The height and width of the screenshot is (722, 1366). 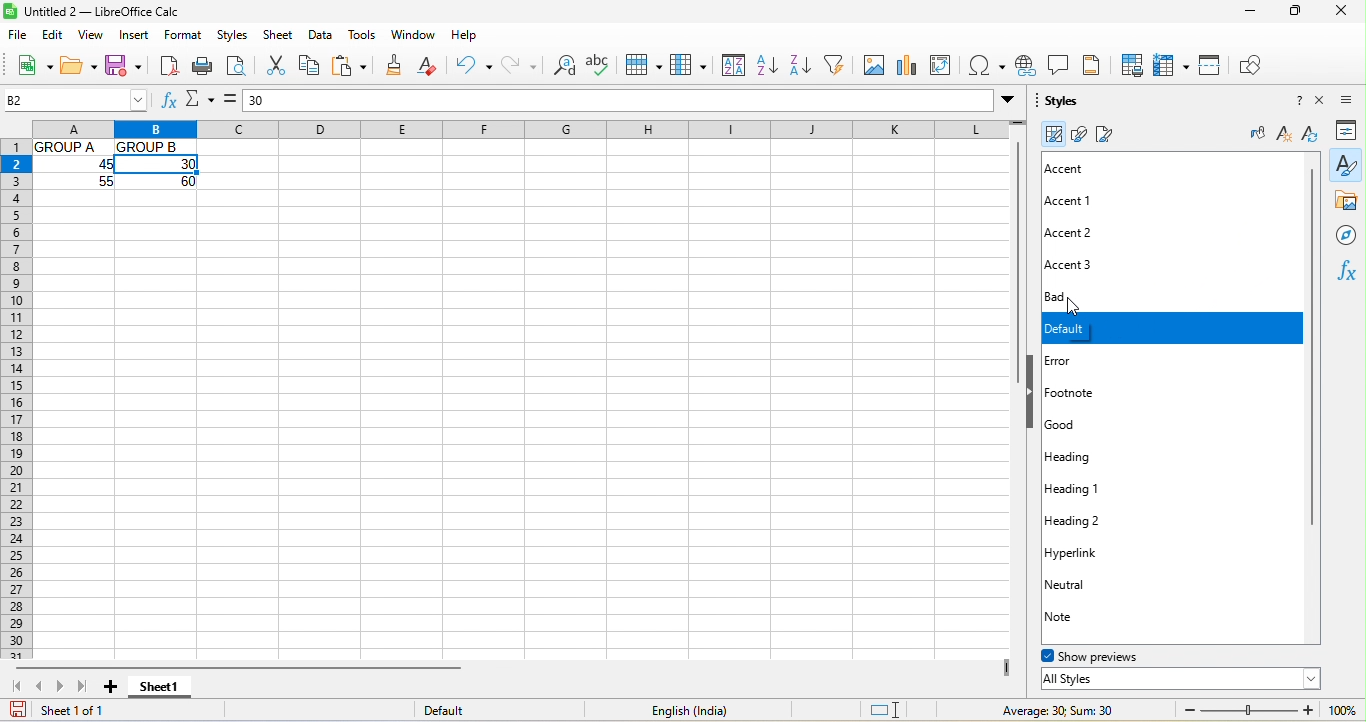 I want to click on styles, so click(x=1066, y=102).